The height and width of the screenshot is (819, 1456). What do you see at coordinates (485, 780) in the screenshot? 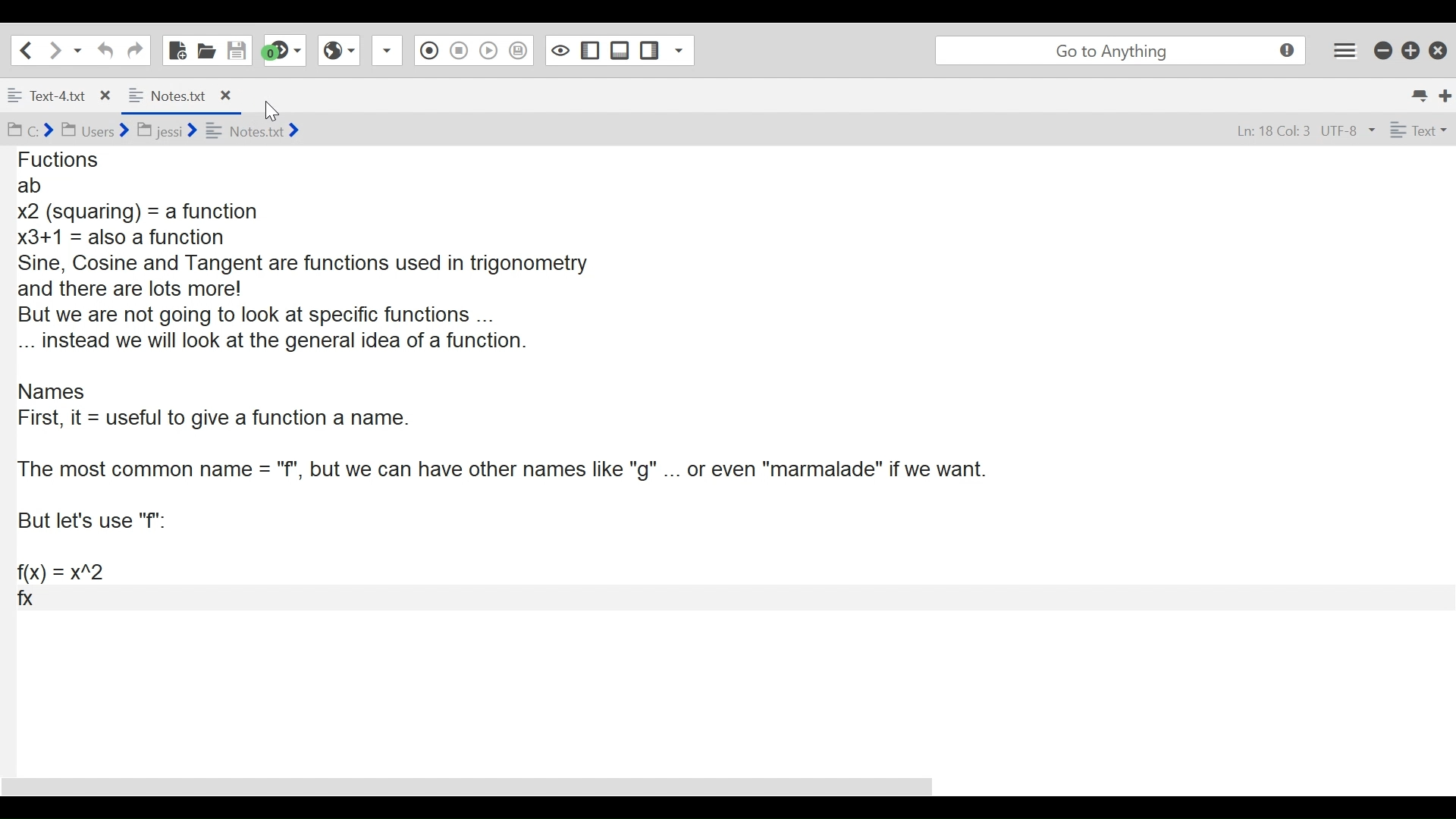
I see `horizontal scroll bar` at bounding box center [485, 780].